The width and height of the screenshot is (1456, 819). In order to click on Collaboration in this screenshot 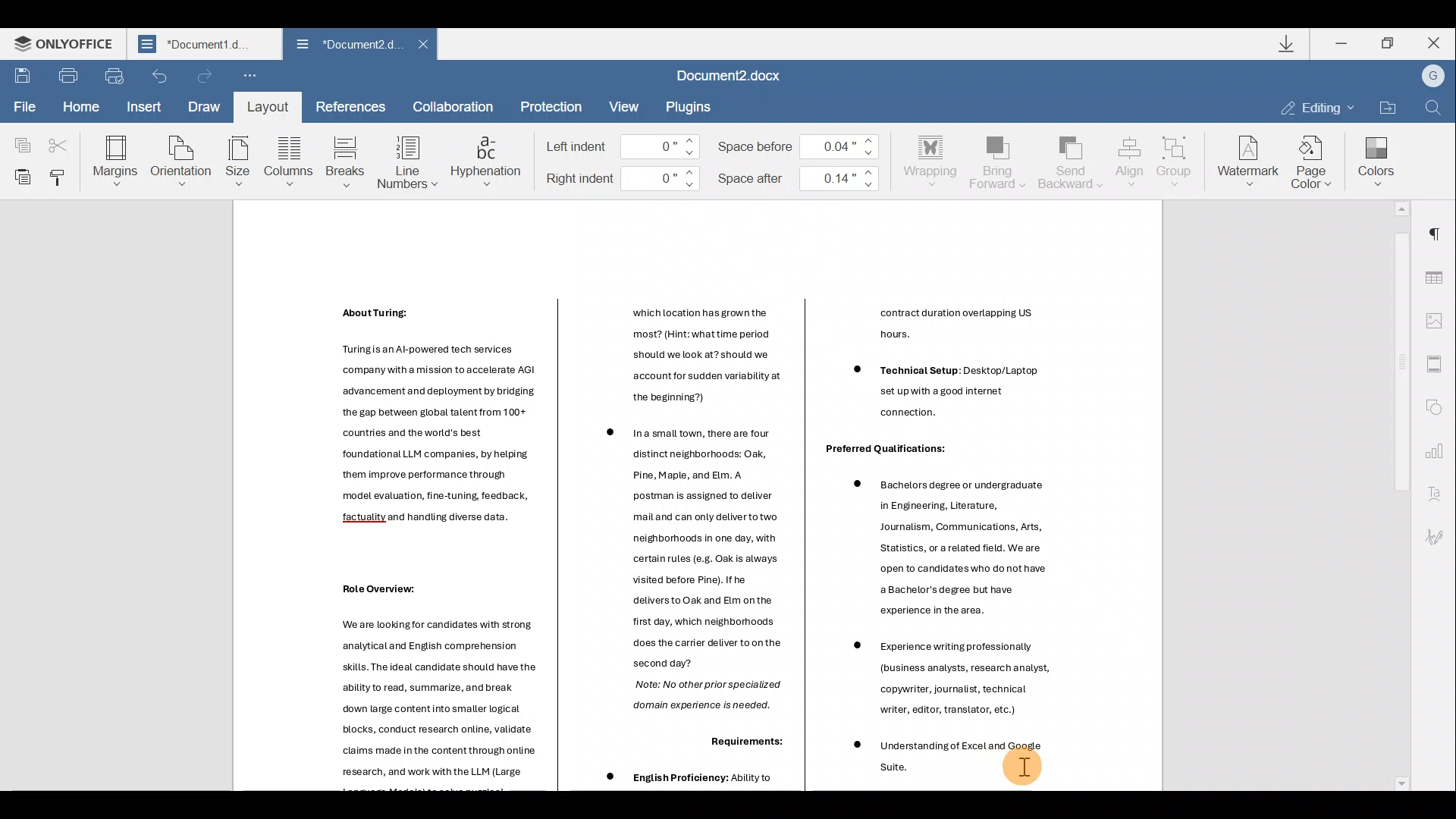, I will do `click(453, 106)`.